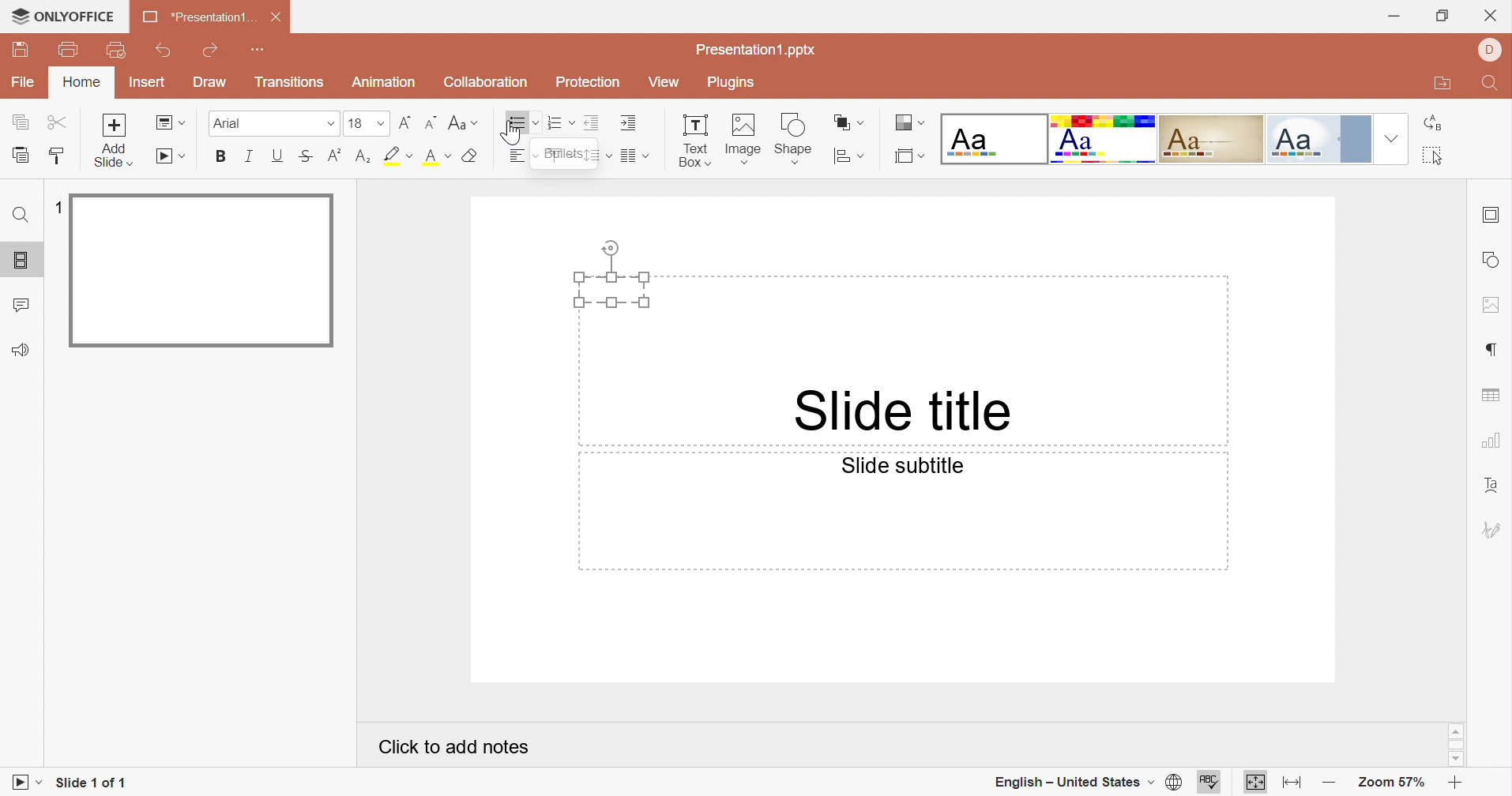  I want to click on Bold, so click(228, 154).